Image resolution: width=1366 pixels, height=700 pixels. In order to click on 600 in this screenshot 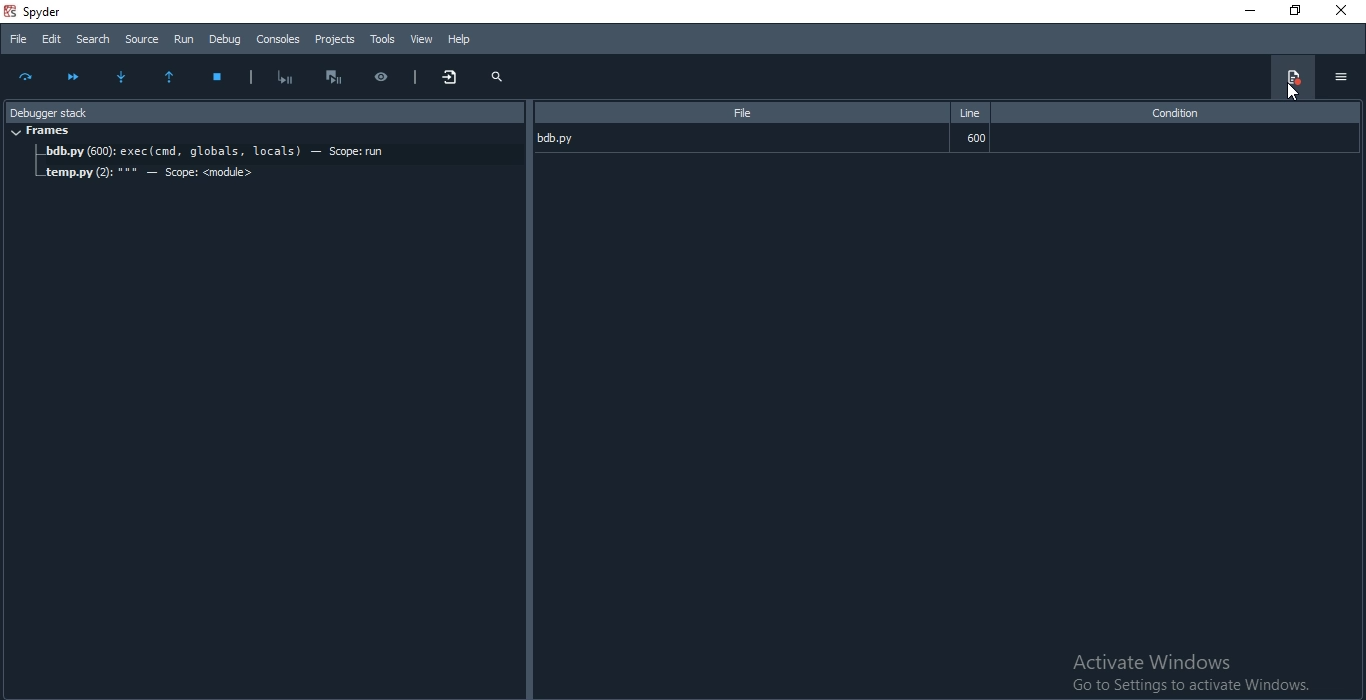, I will do `click(976, 138)`.